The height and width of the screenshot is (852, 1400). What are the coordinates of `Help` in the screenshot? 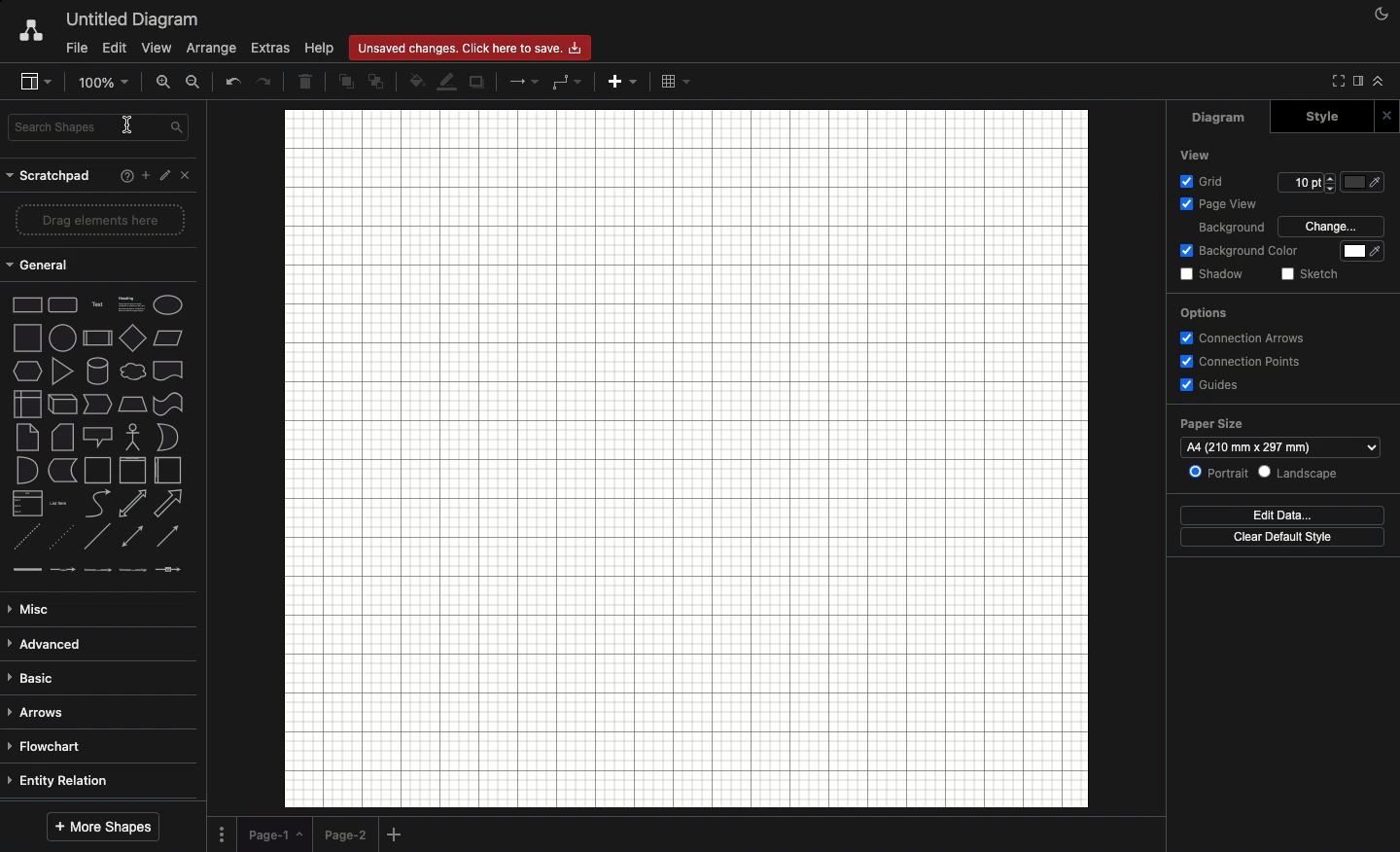 It's located at (319, 49).